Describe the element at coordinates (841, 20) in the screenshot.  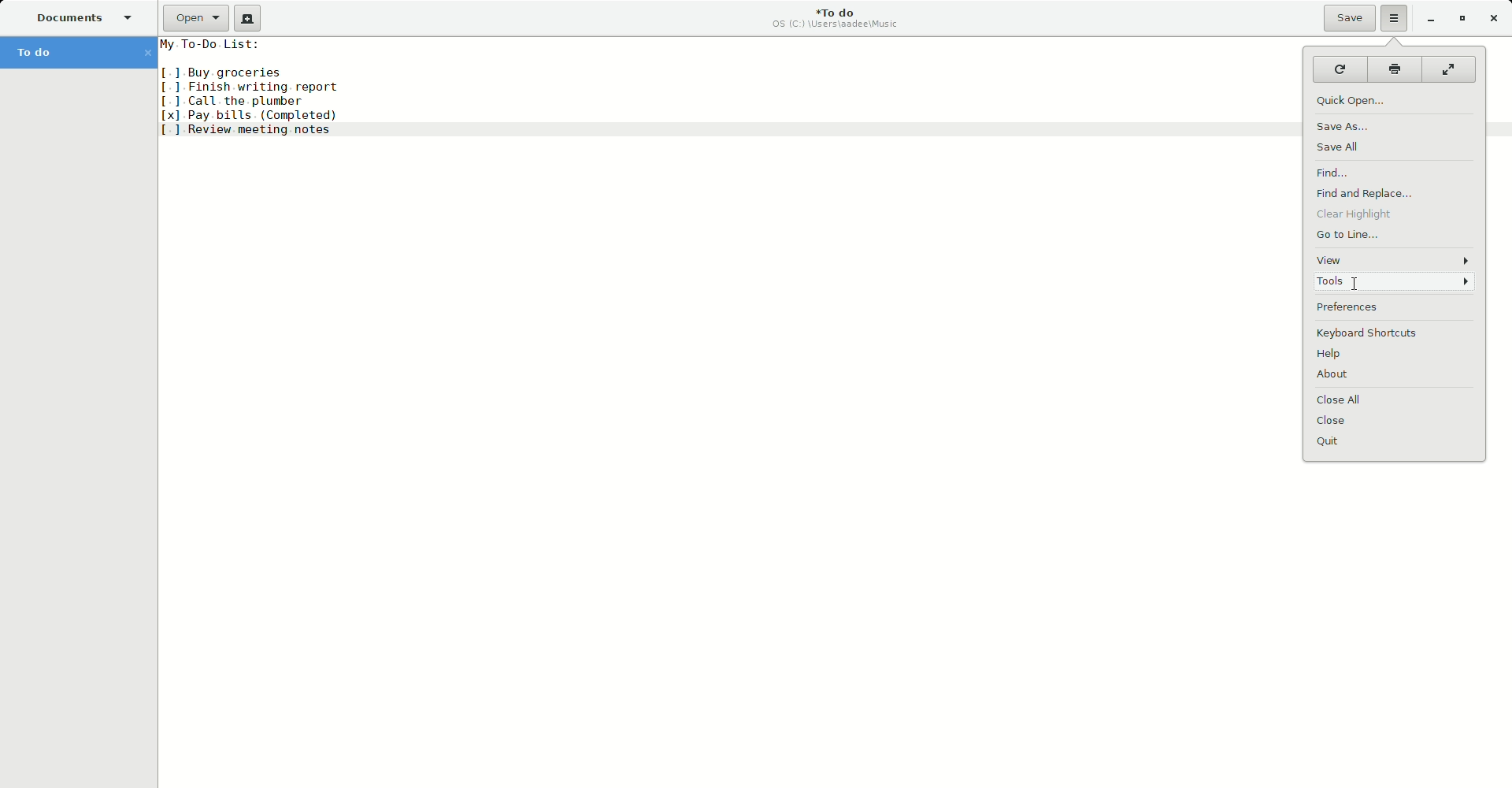
I see `To do` at that location.